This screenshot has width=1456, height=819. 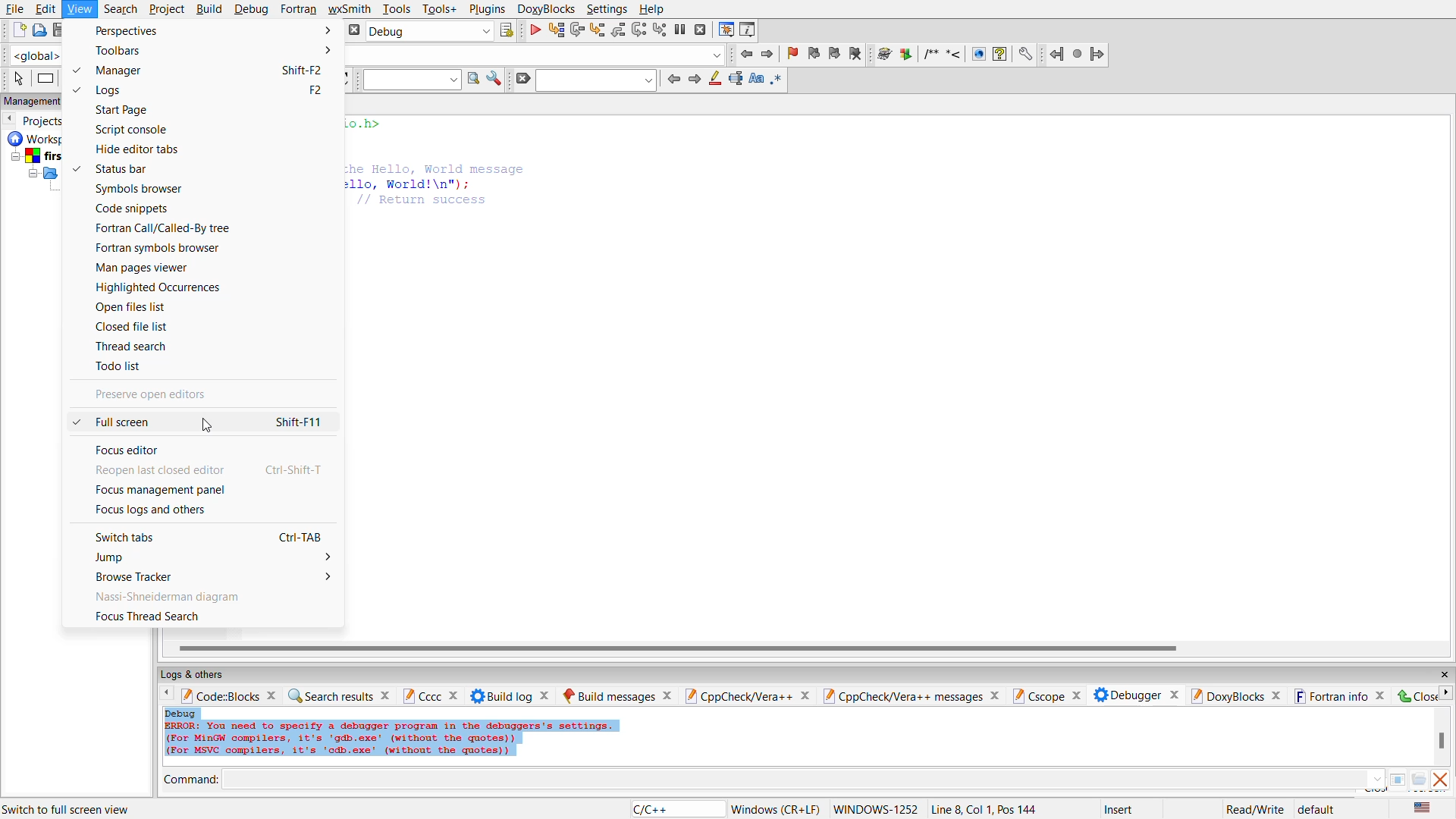 What do you see at coordinates (80, 9) in the screenshot?
I see `view` at bounding box center [80, 9].